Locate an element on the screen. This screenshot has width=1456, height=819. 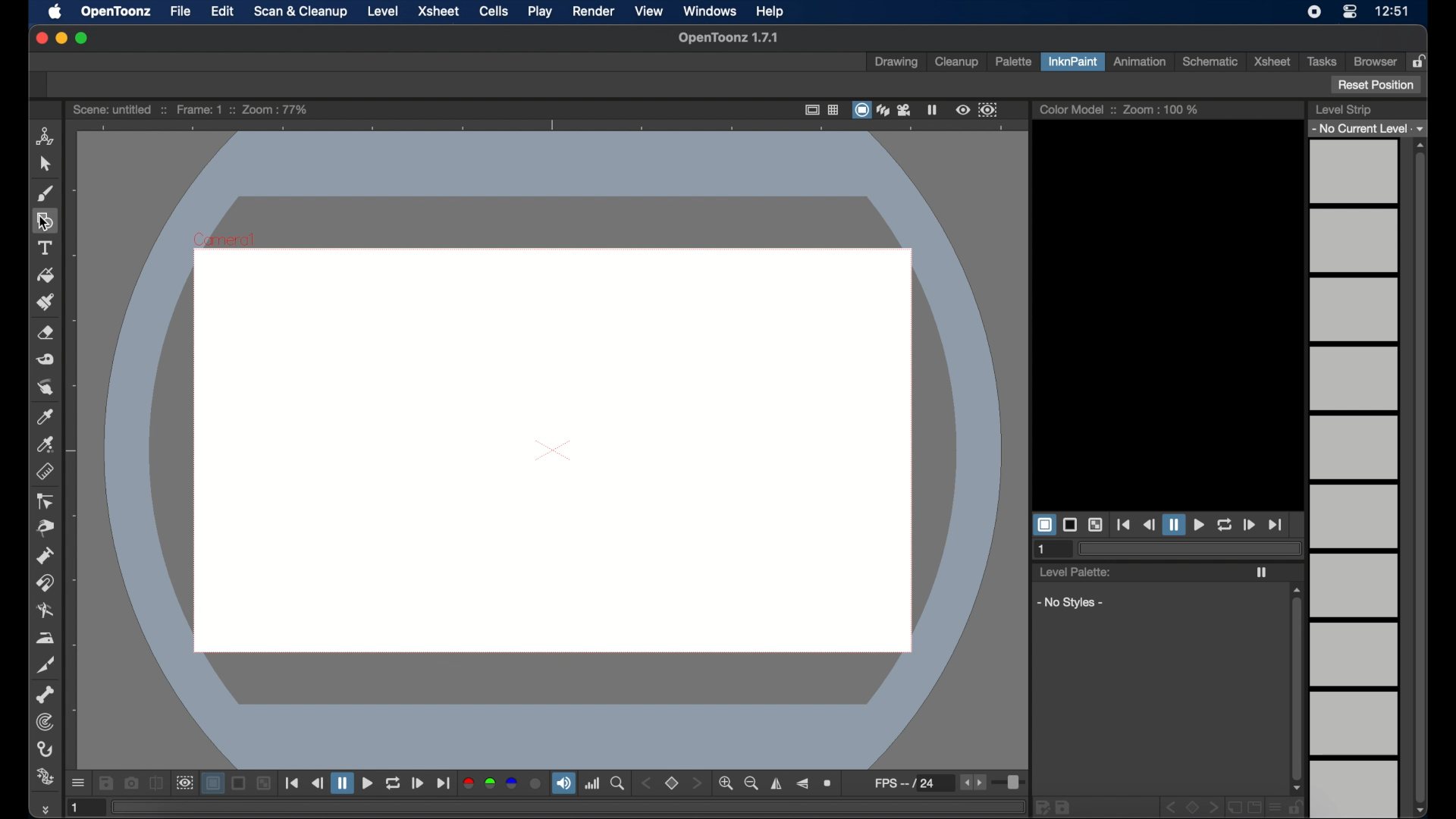
hook tool is located at coordinates (45, 749).